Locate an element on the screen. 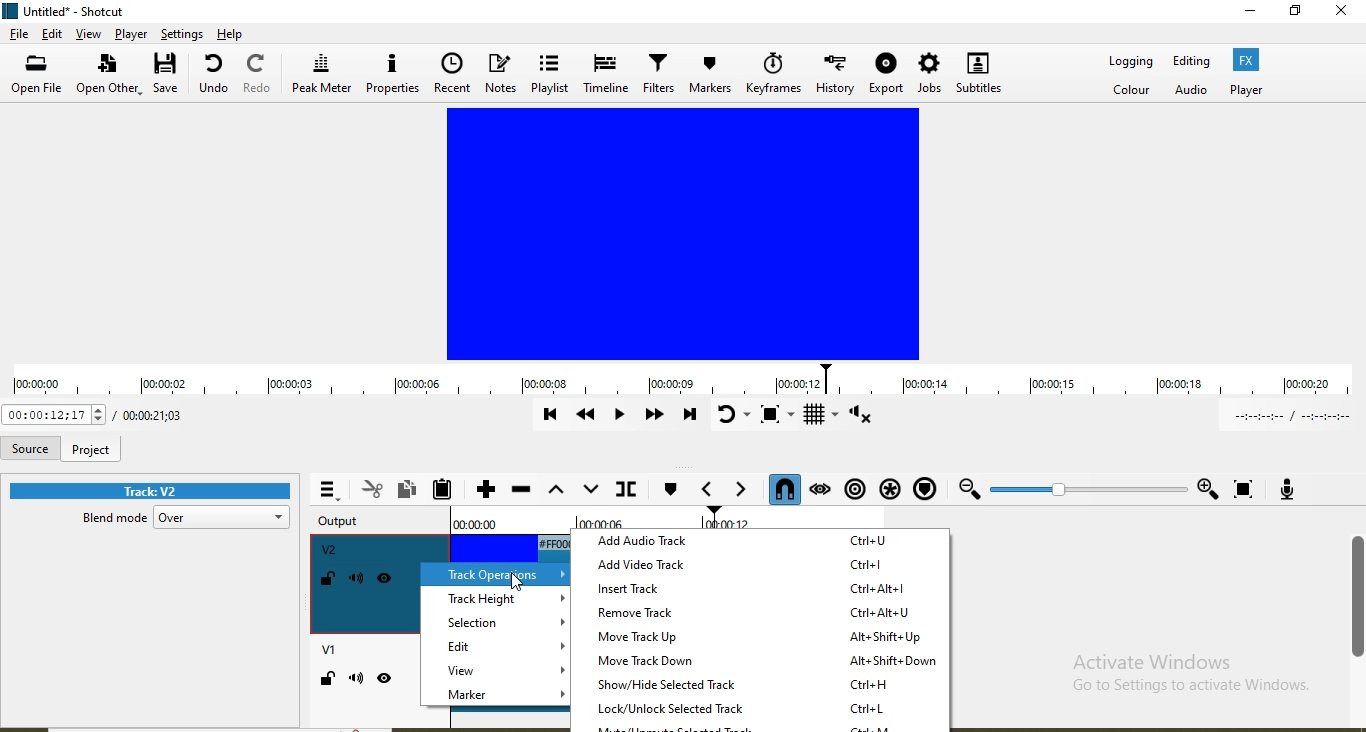 The height and width of the screenshot is (732, 1366). timeline is located at coordinates (680, 381).